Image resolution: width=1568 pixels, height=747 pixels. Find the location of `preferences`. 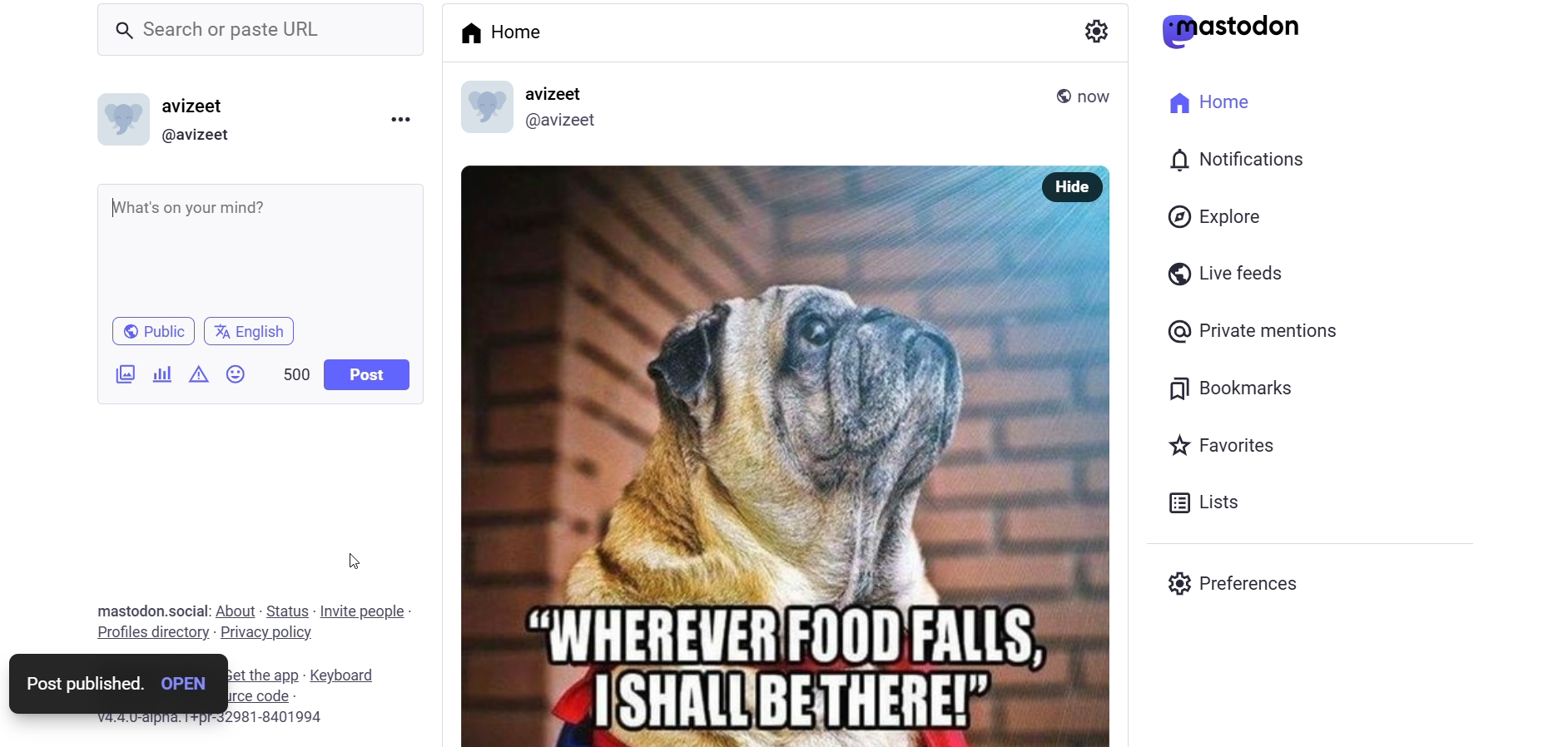

preferences is located at coordinates (1229, 580).